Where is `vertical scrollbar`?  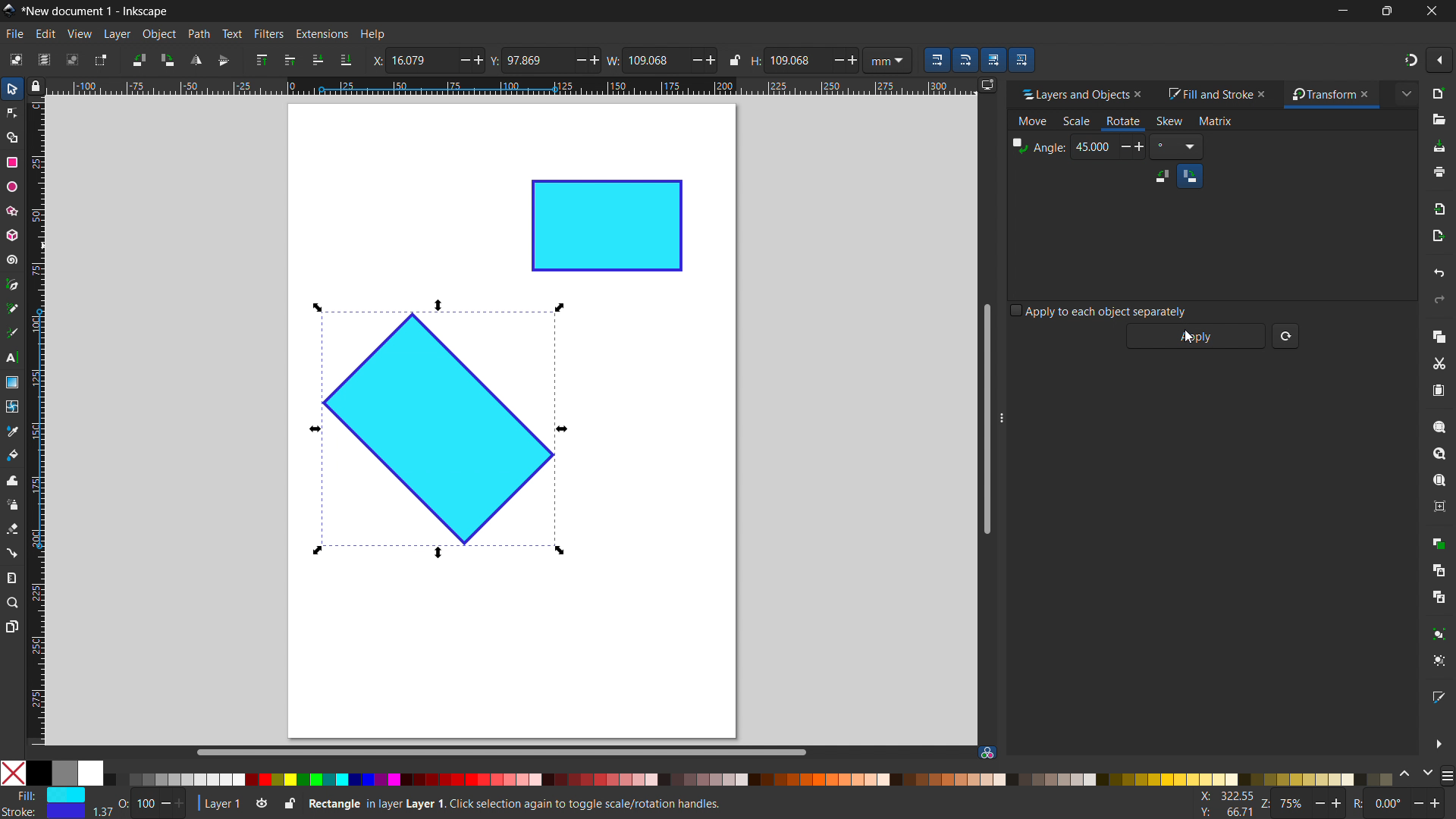
vertical scrollbar is located at coordinates (985, 417).